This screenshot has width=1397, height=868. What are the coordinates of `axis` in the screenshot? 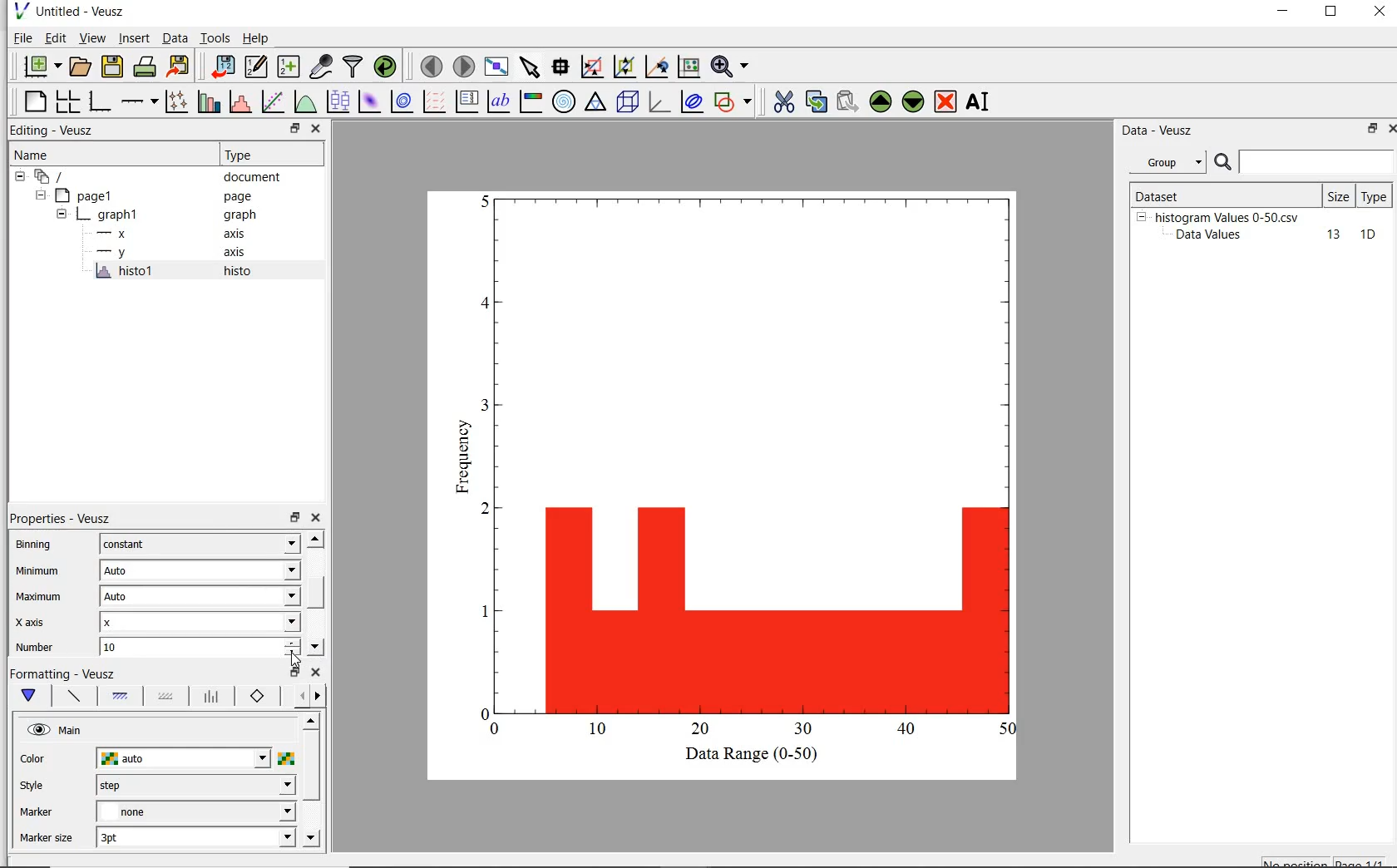 It's located at (239, 254).